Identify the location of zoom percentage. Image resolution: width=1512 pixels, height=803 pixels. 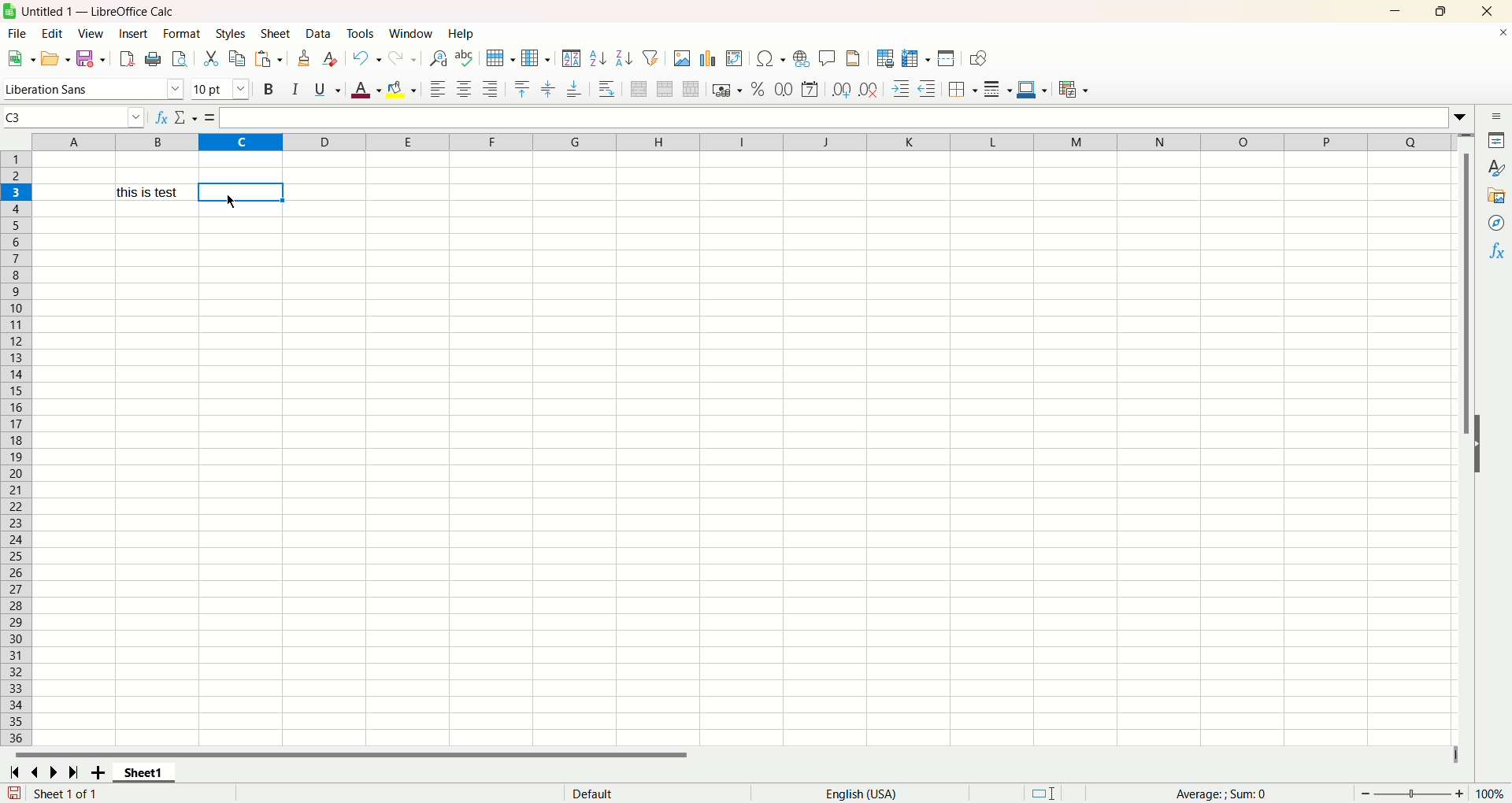
(1492, 793).